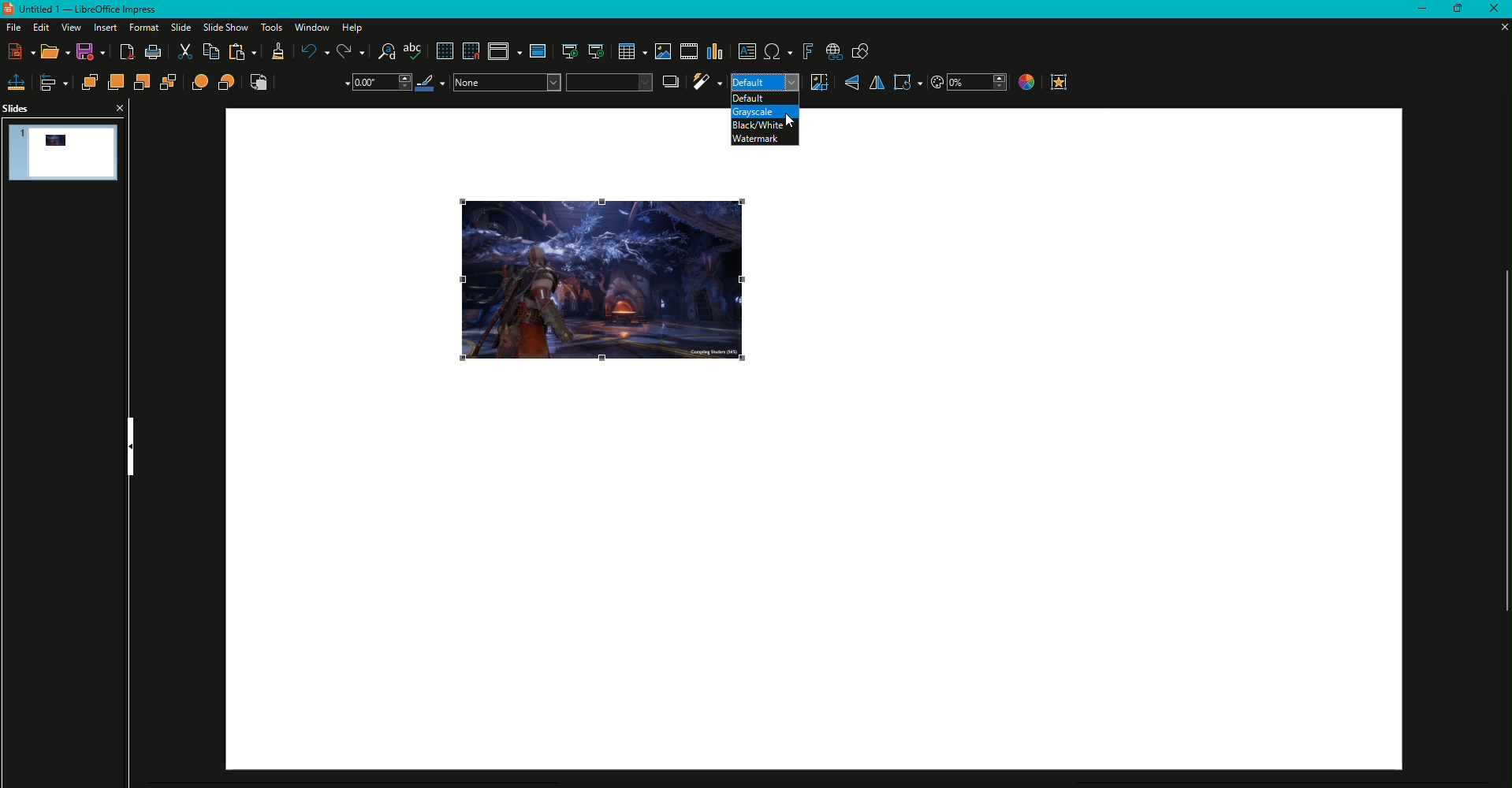 This screenshot has width=1512, height=788. What do you see at coordinates (432, 83) in the screenshot?
I see `Line Color` at bounding box center [432, 83].